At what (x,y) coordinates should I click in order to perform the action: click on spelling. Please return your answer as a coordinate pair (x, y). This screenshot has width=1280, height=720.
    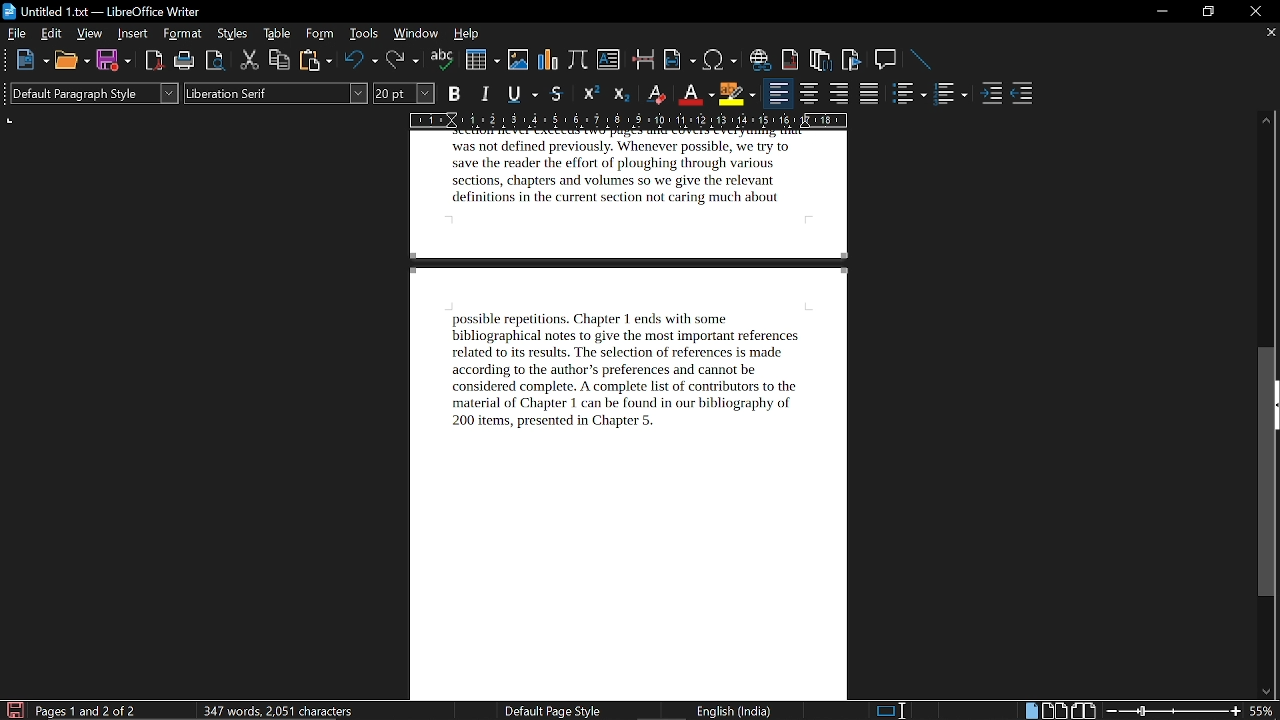
    Looking at the image, I should click on (443, 61).